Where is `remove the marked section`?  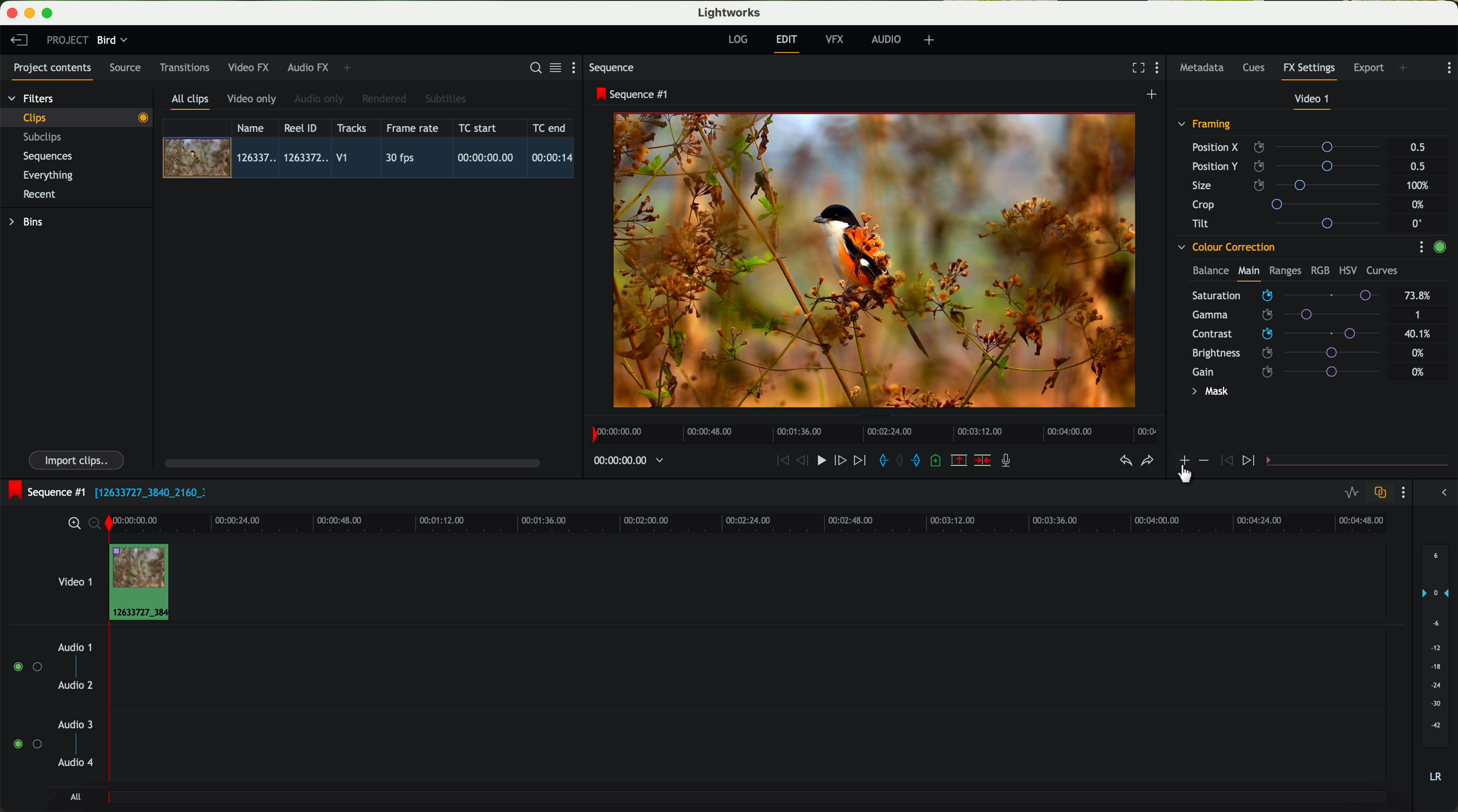
remove the marked section is located at coordinates (960, 461).